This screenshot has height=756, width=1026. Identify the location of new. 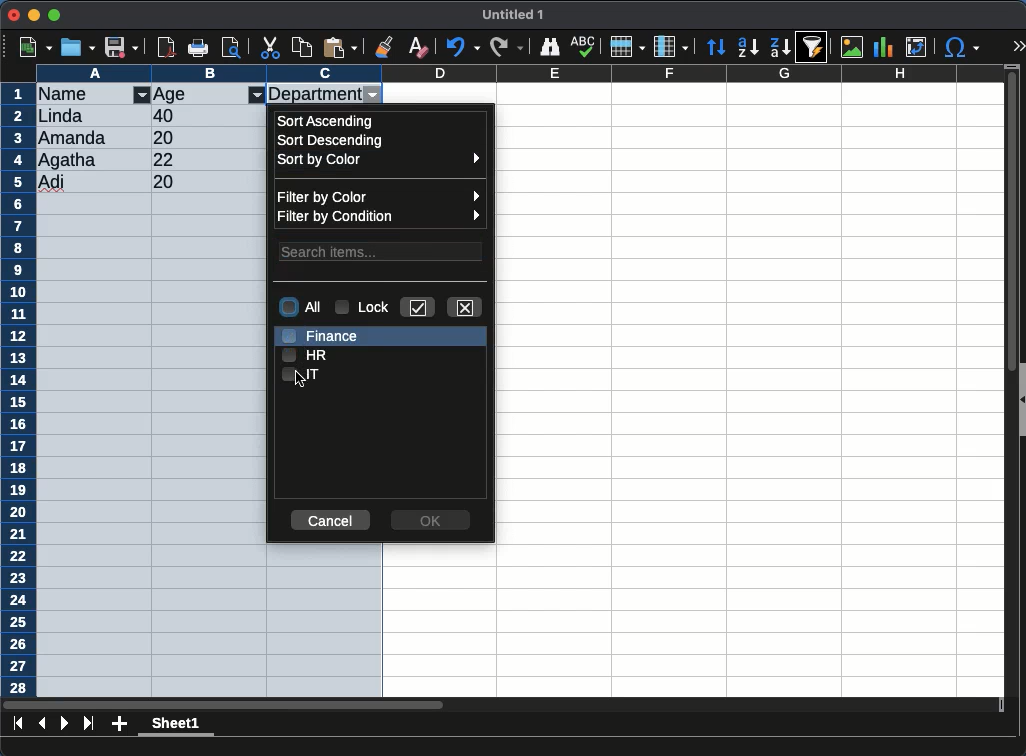
(34, 47).